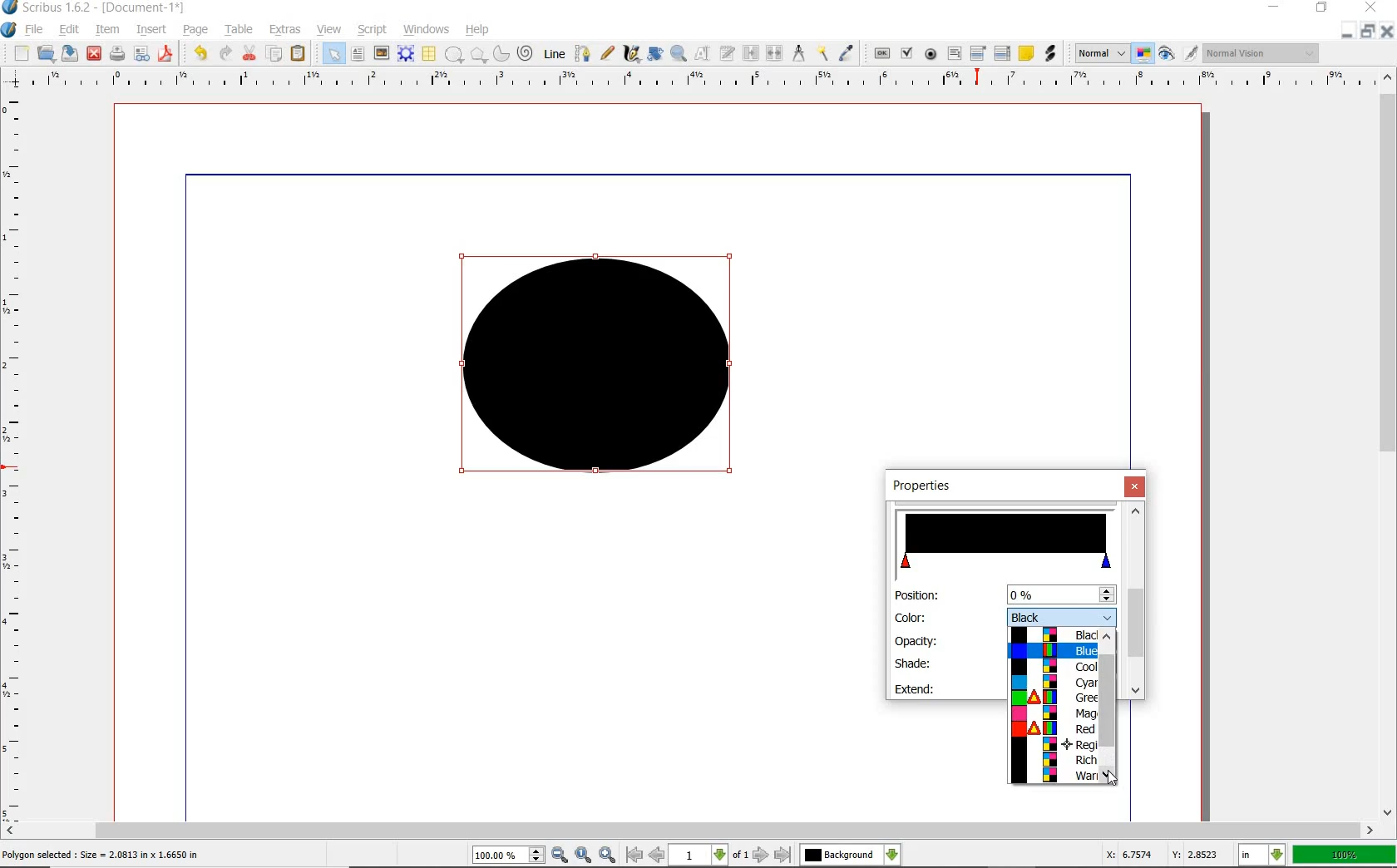 The image size is (1397, 868). I want to click on SELECT, so click(333, 55).